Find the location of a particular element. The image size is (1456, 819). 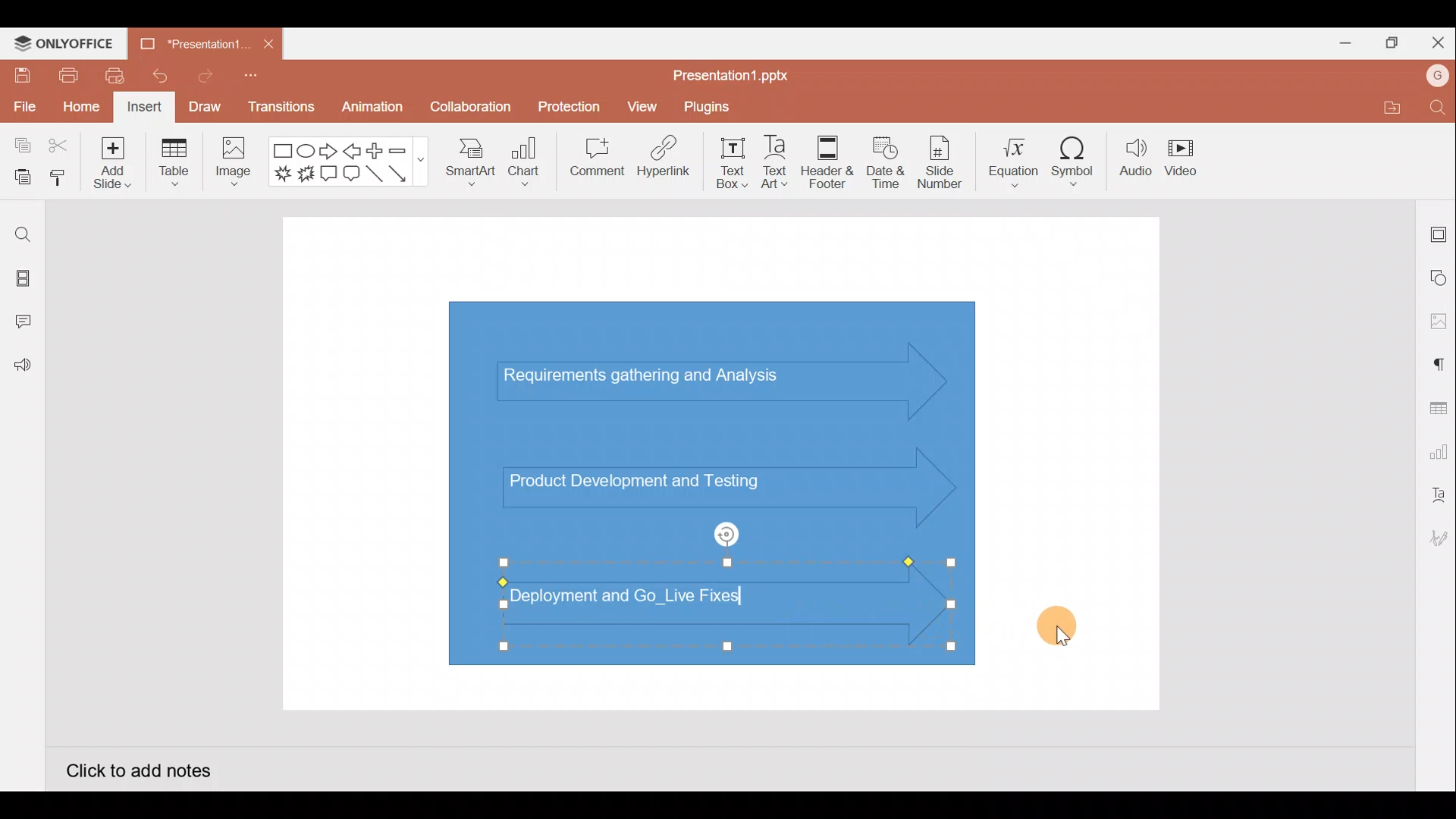

Presentation1. is located at coordinates (190, 45).